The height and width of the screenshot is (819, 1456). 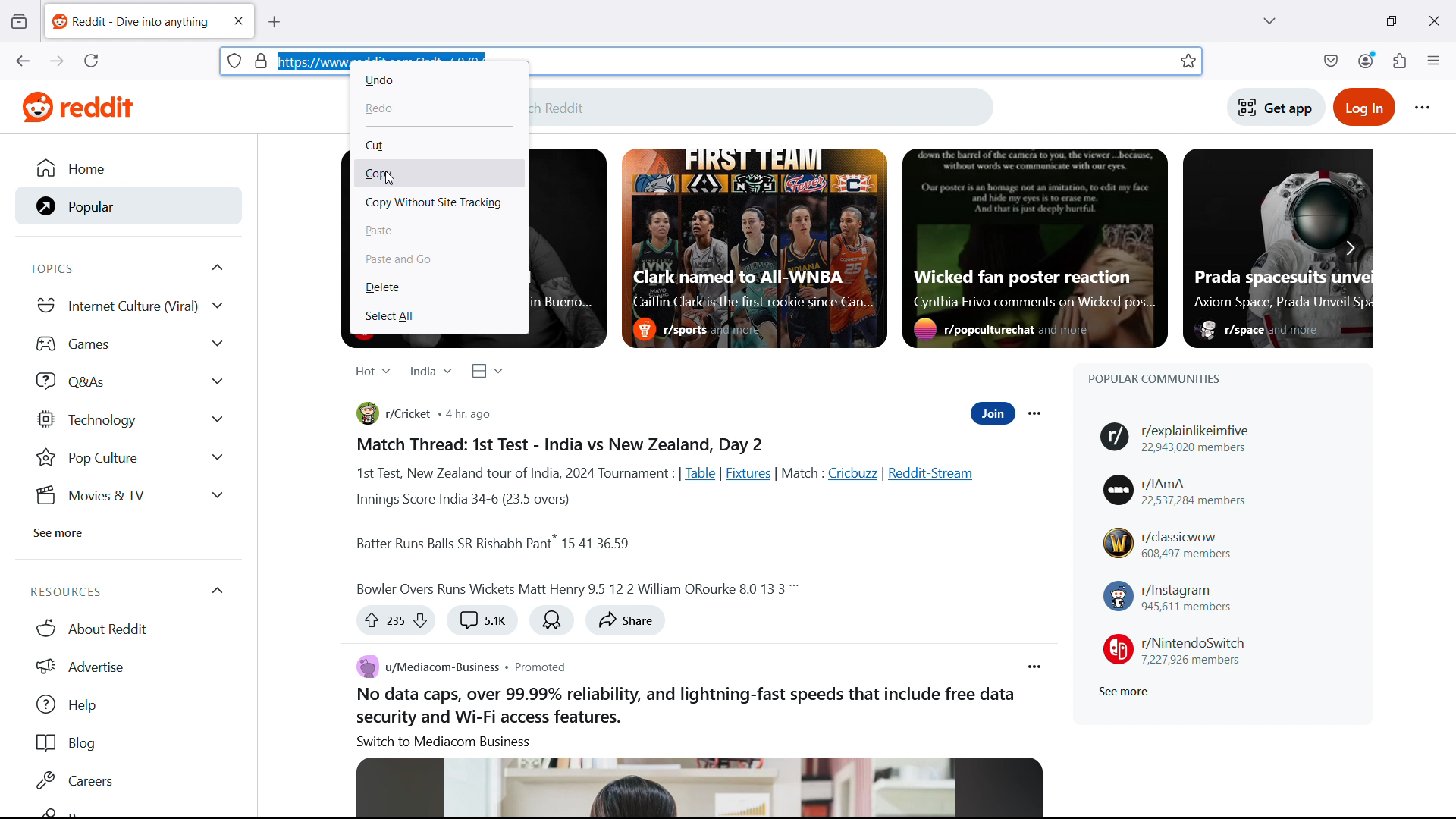 I want to click on Select region, so click(x=430, y=371).